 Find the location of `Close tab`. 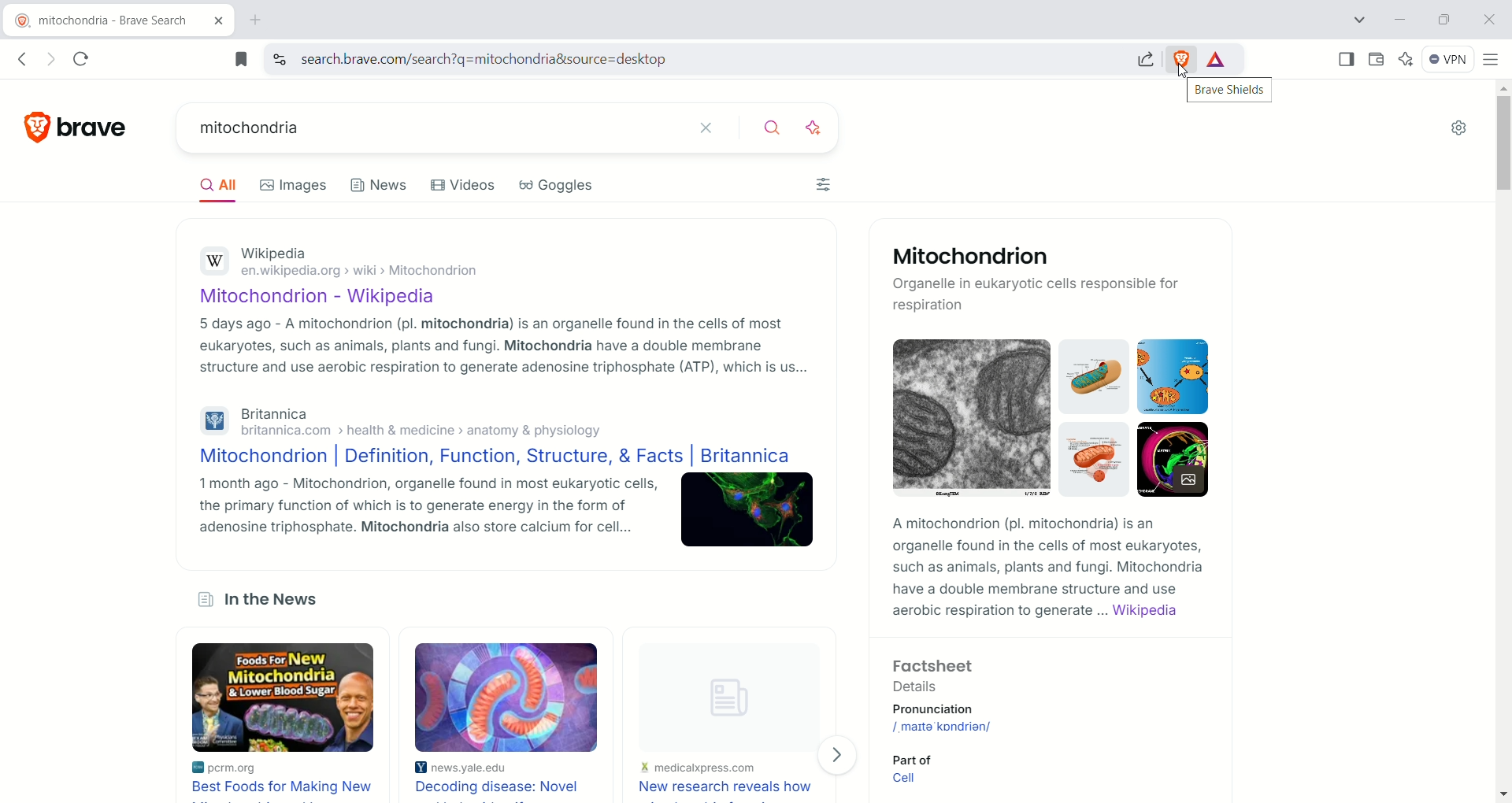

Close tab is located at coordinates (220, 21).